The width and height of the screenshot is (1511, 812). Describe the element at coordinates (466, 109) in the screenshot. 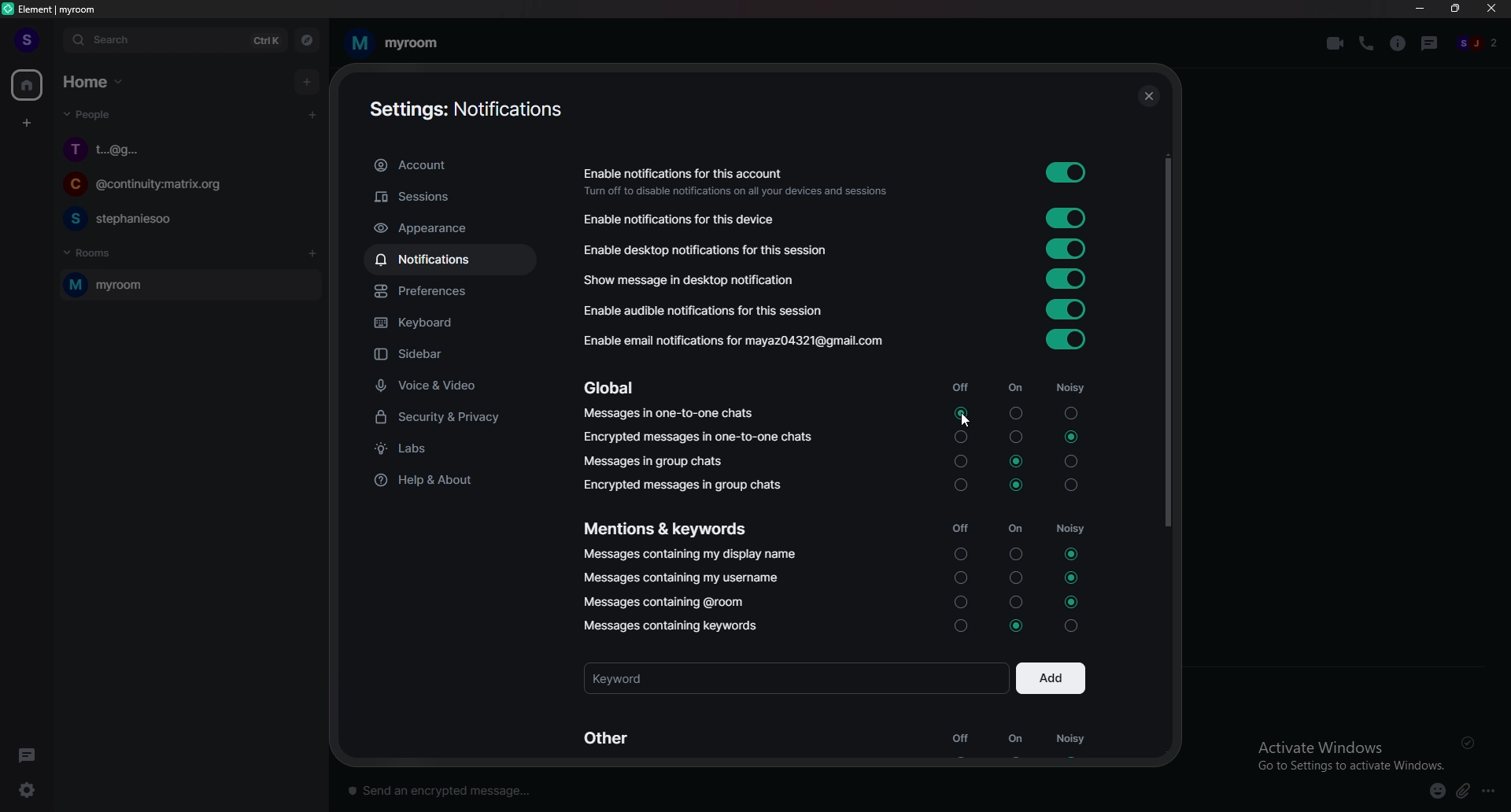

I see `settings account` at that location.